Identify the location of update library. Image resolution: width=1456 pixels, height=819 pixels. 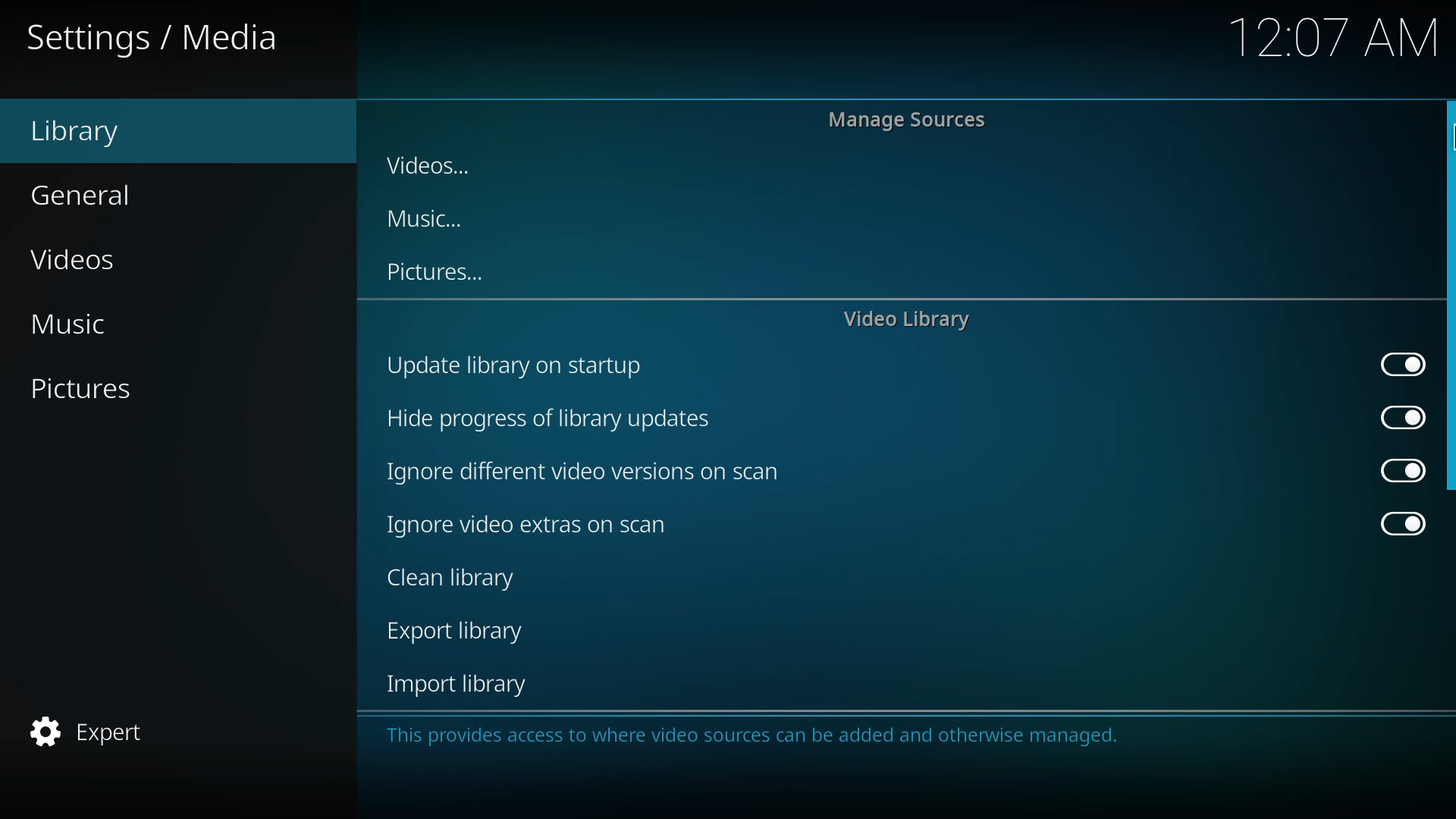
(541, 419).